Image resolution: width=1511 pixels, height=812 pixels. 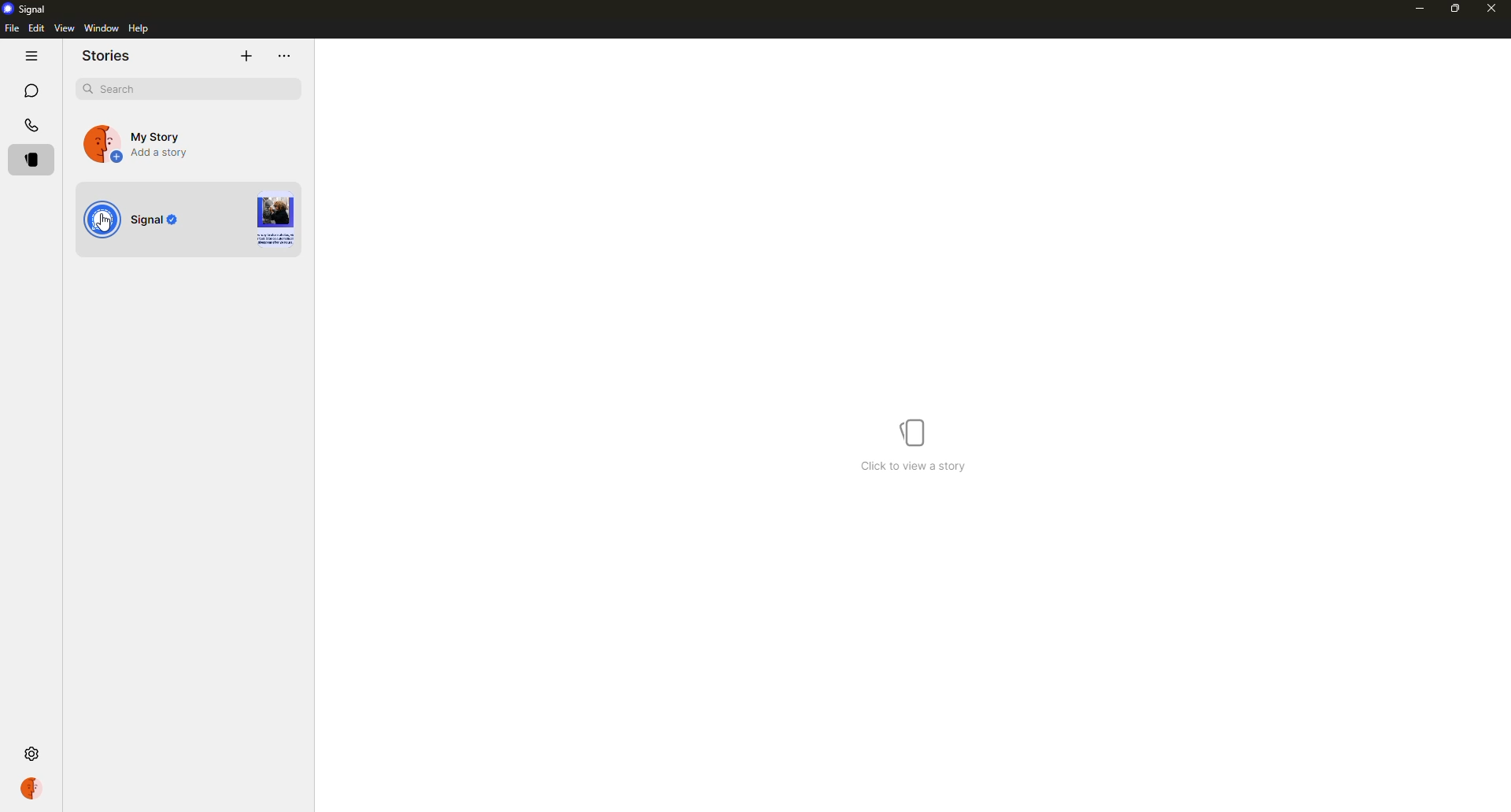 I want to click on profile, so click(x=36, y=788).